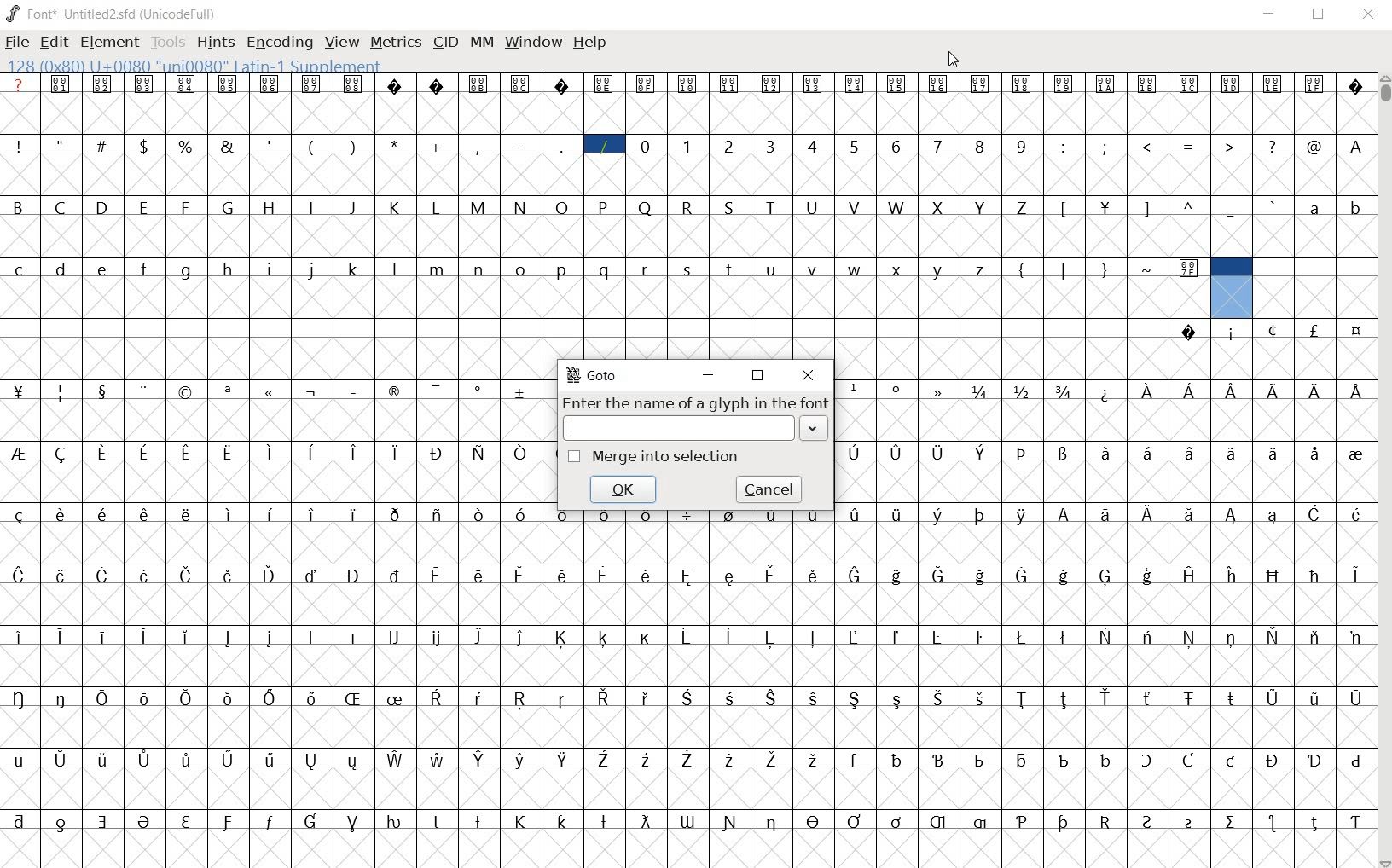 Image resolution: width=1392 pixels, height=868 pixels. Describe the element at coordinates (63, 819) in the screenshot. I see `Symbol` at that location.